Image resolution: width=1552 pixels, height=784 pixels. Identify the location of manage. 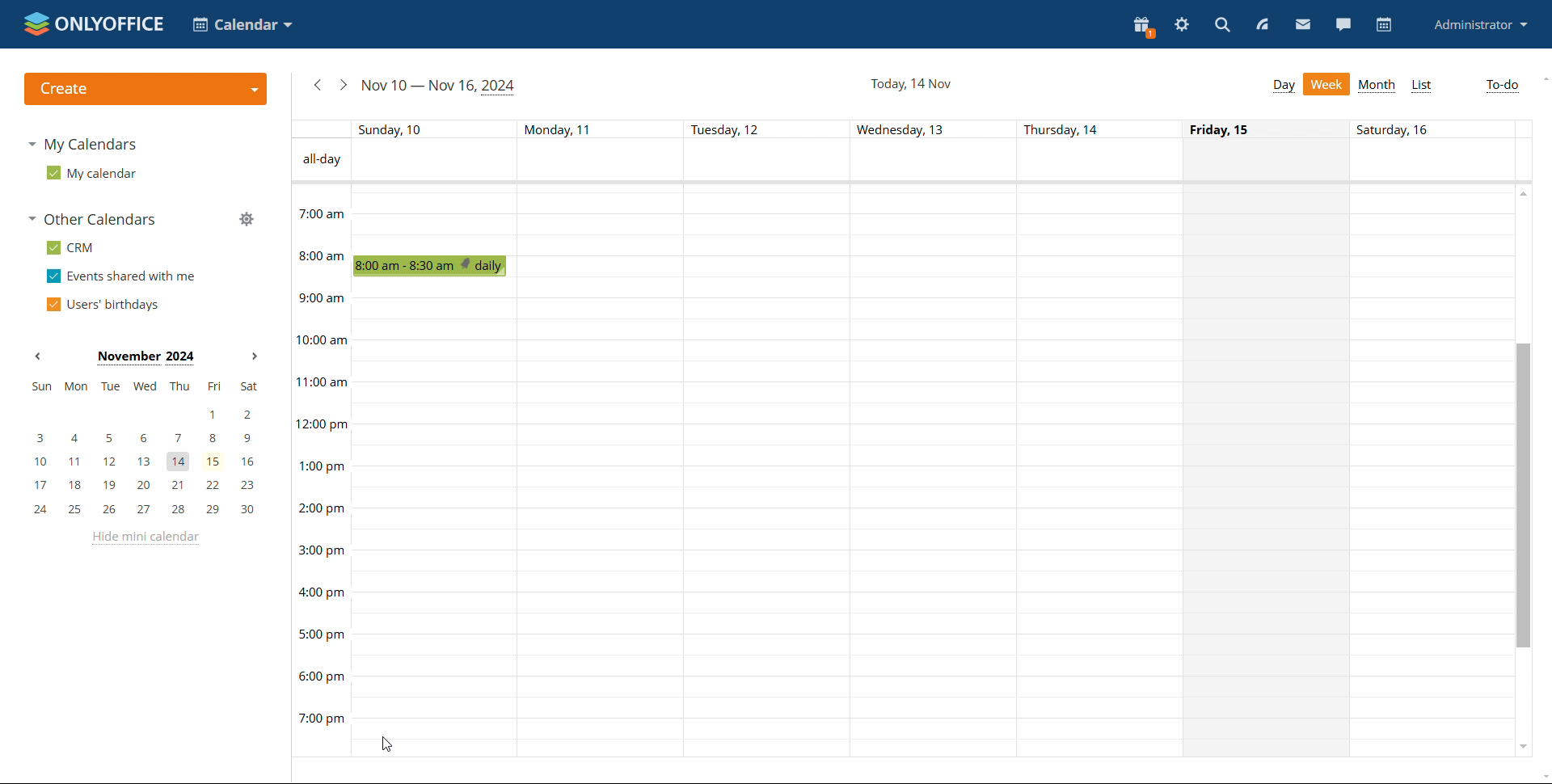
(246, 218).